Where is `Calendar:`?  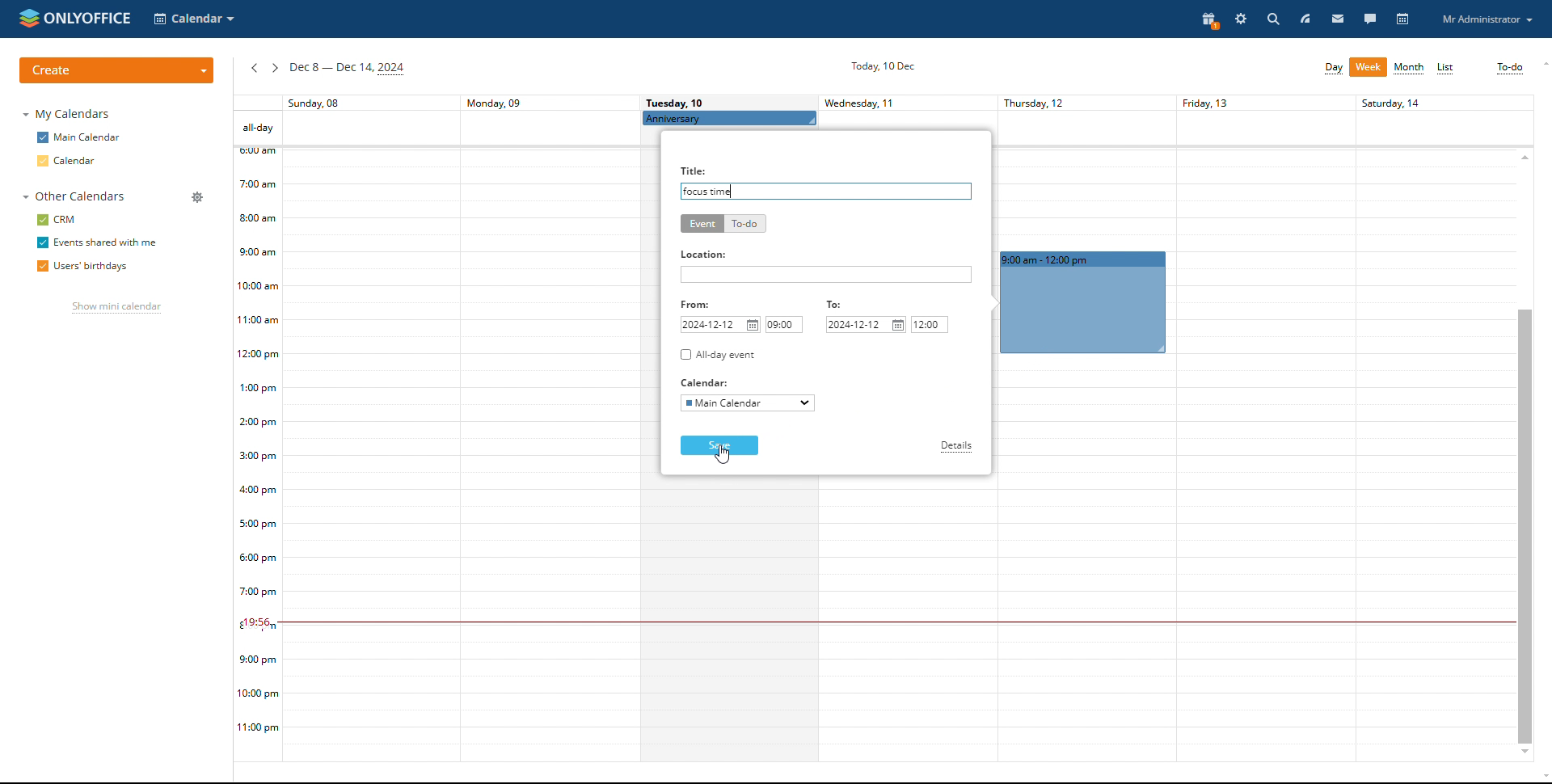
Calendar: is located at coordinates (706, 384).